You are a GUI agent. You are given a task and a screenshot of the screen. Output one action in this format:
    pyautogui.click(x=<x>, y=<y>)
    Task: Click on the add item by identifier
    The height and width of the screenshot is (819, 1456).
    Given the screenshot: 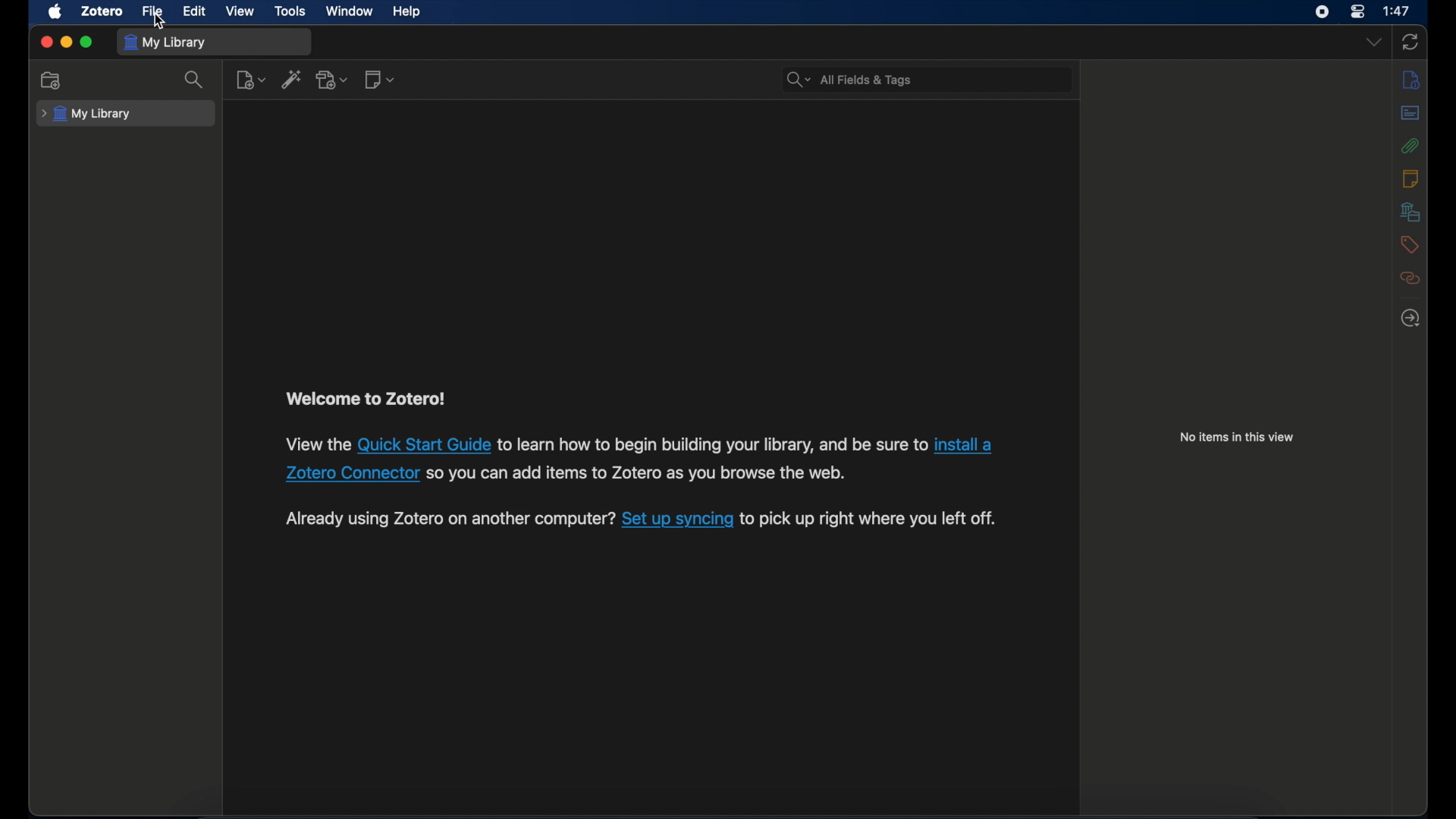 What is the action you would take?
    pyautogui.click(x=291, y=80)
    